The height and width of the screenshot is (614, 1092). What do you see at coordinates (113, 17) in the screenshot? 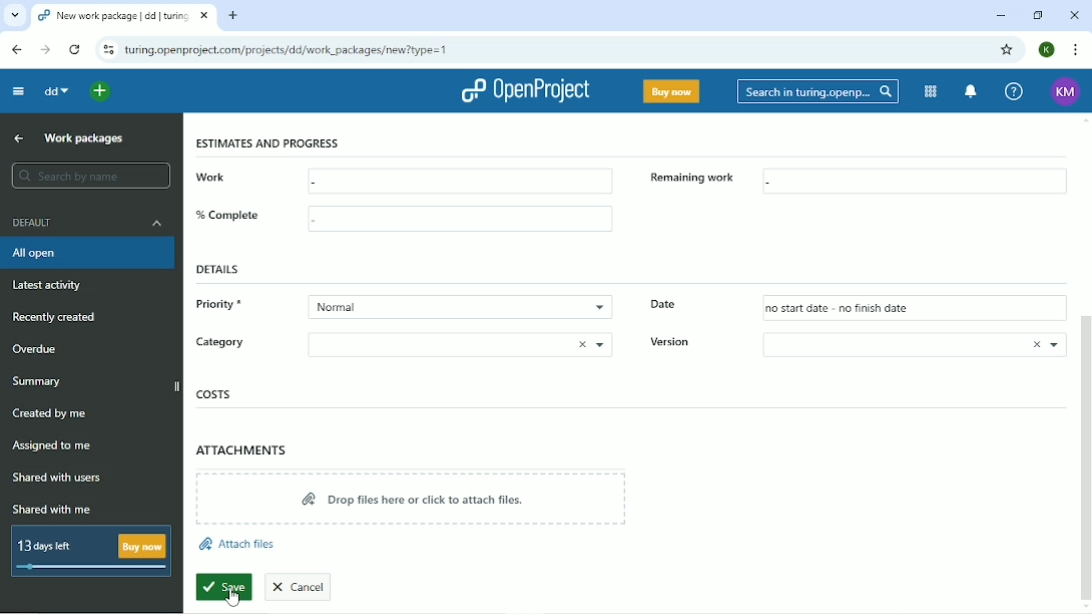
I see `New work package | dd | turing` at bounding box center [113, 17].